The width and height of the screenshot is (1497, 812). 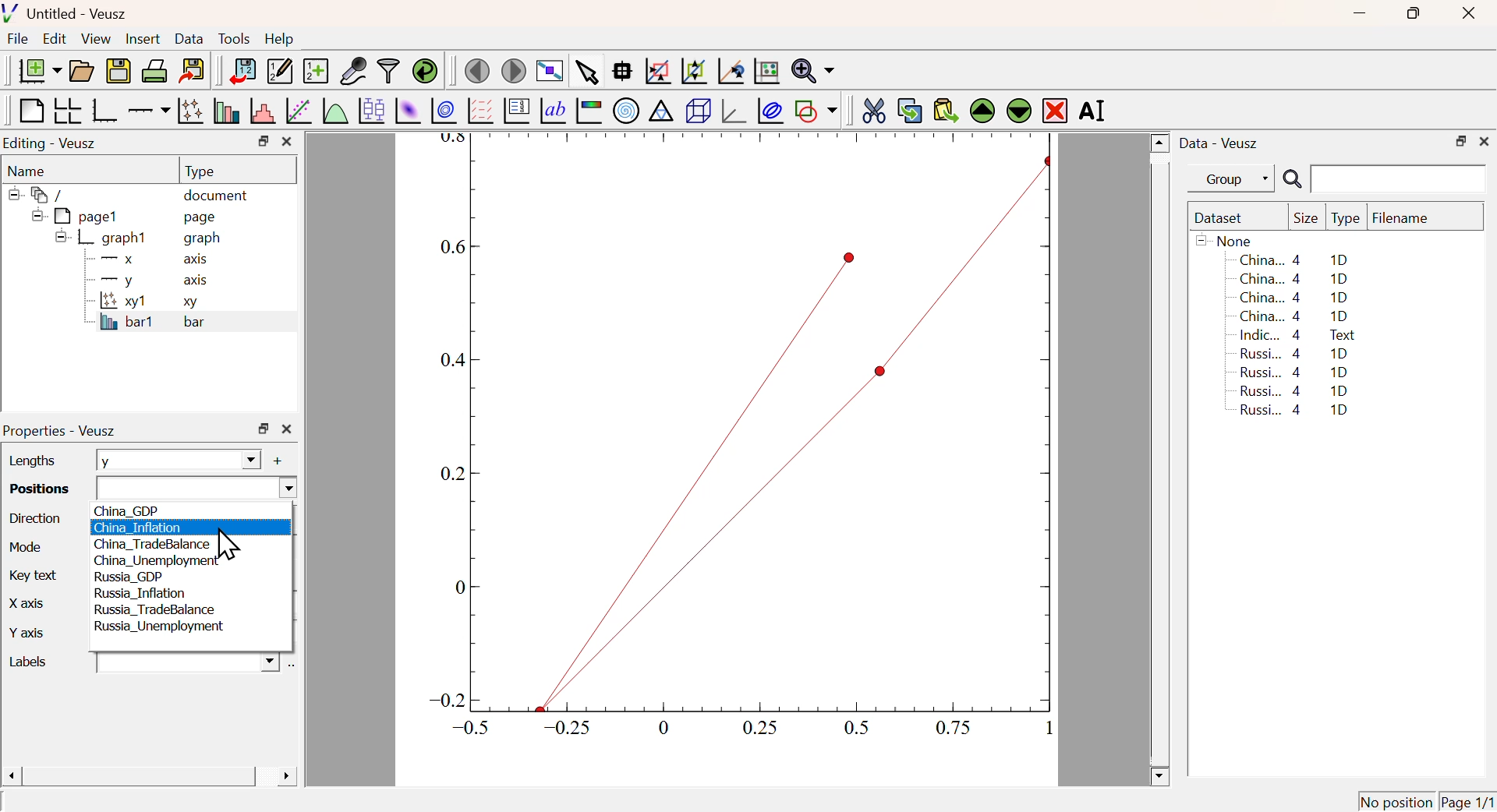 I want to click on Plot Box Plots, so click(x=370, y=110).